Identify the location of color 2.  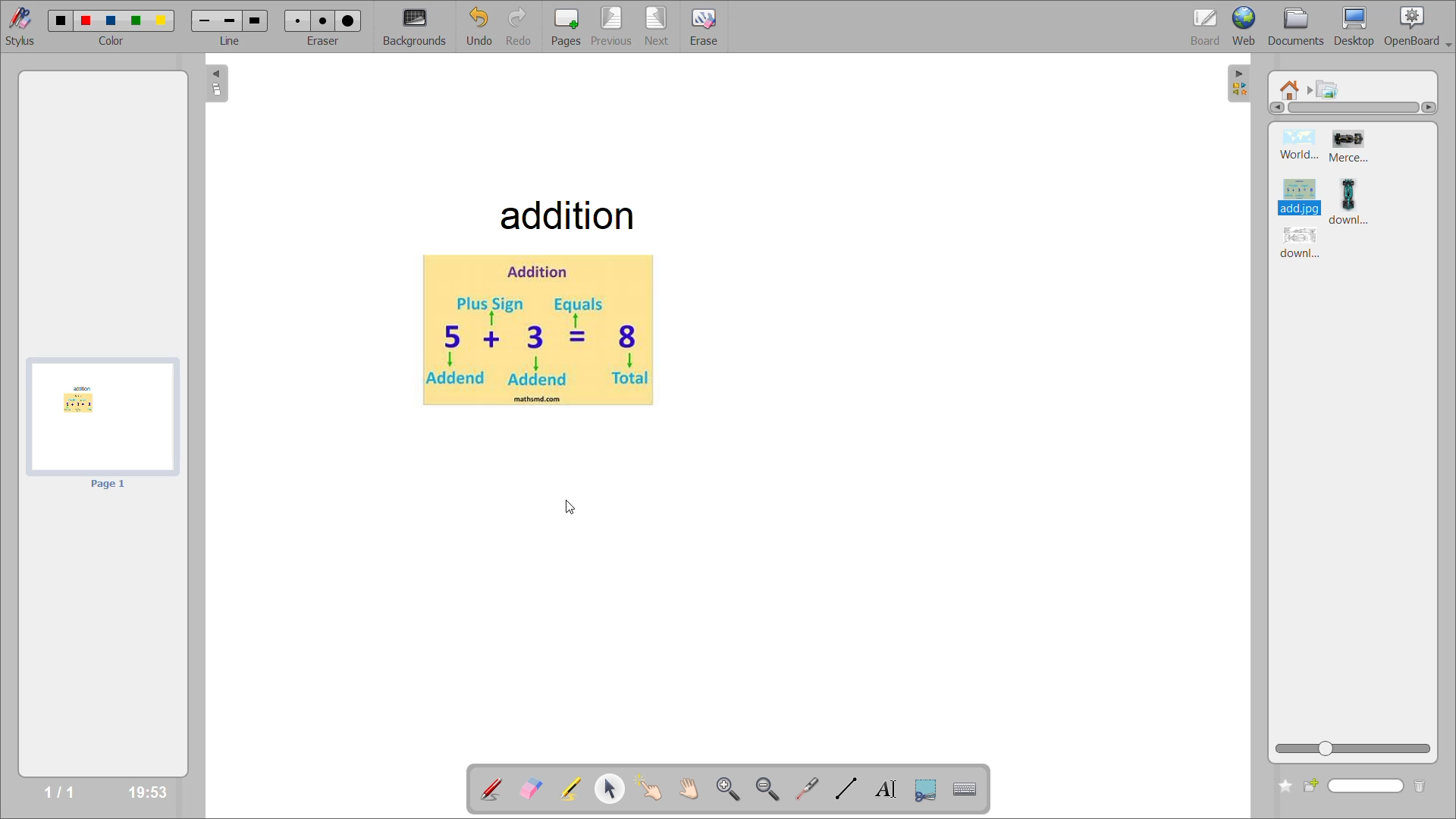
(87, 22).